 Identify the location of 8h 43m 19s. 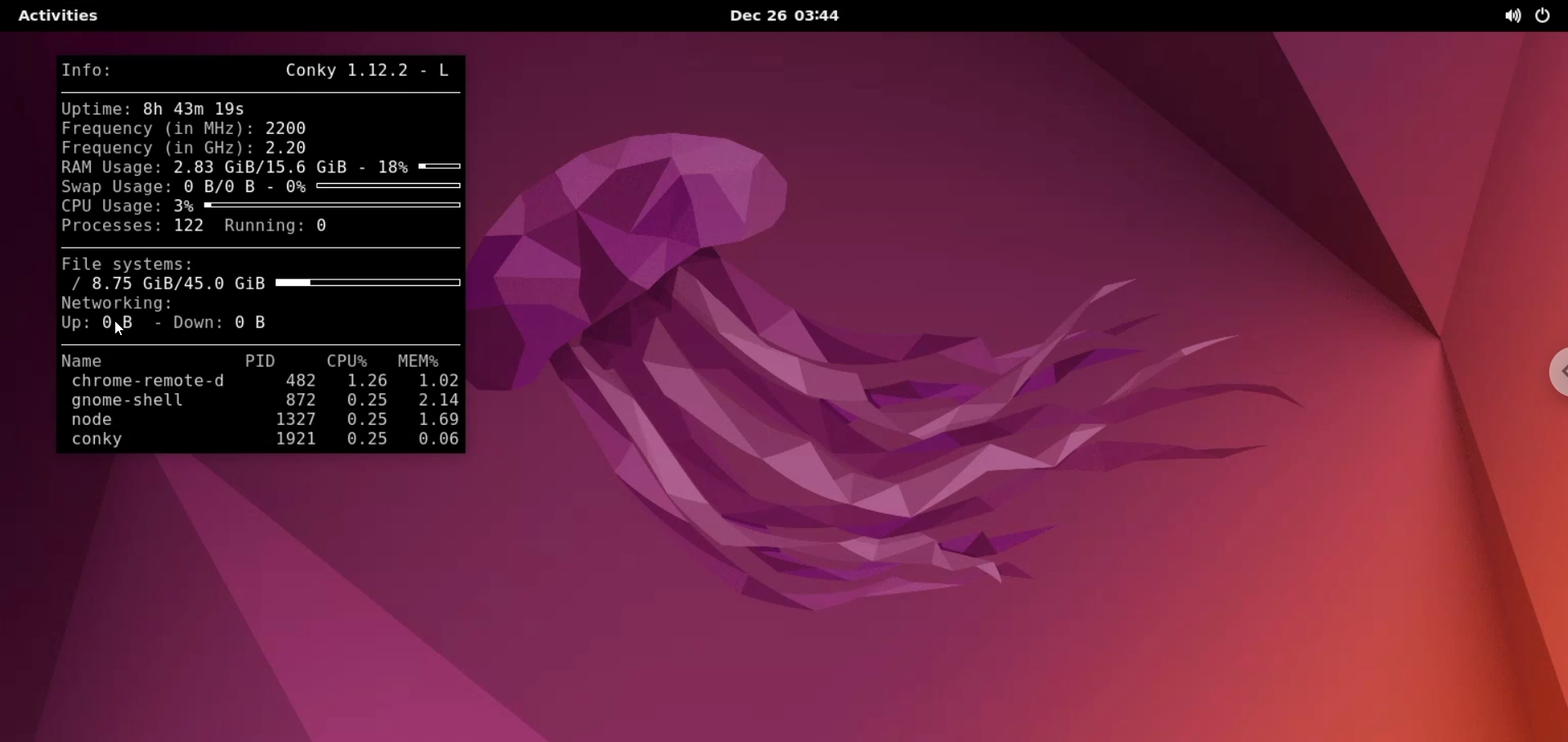
(191, 108).